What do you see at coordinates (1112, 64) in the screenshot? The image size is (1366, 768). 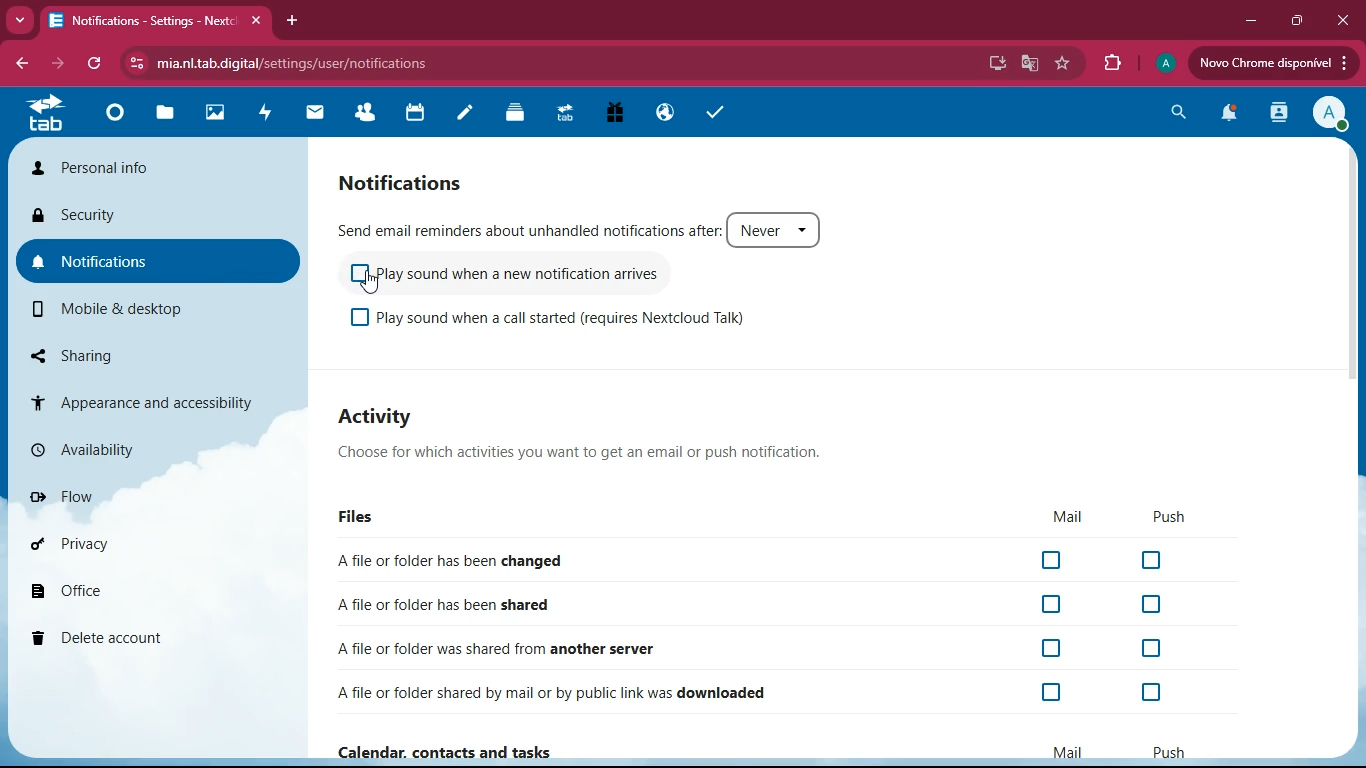 I see `extensions` at bounding box center [1112, 64].